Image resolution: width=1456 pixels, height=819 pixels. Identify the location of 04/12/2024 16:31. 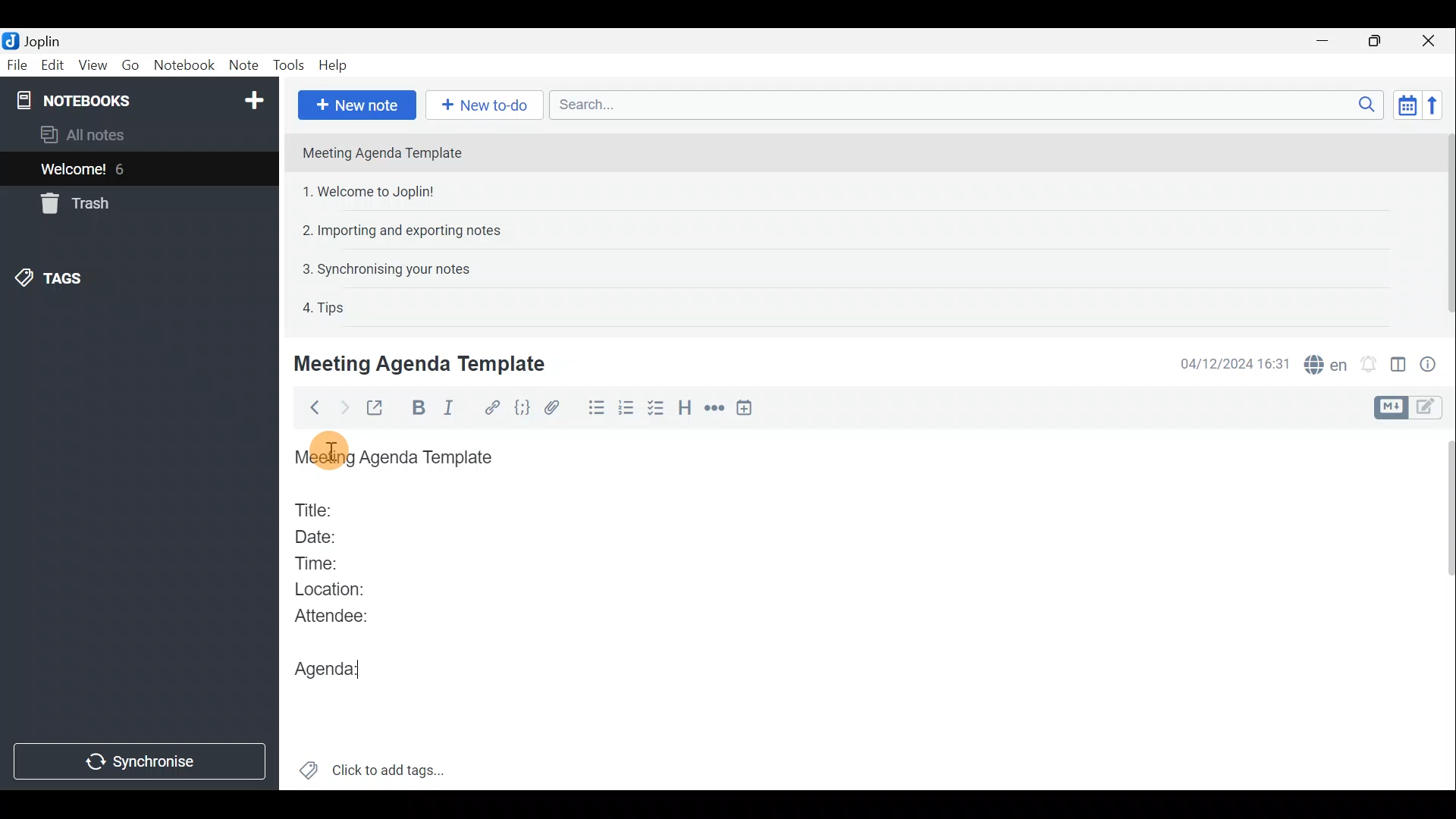
(1228, 362).